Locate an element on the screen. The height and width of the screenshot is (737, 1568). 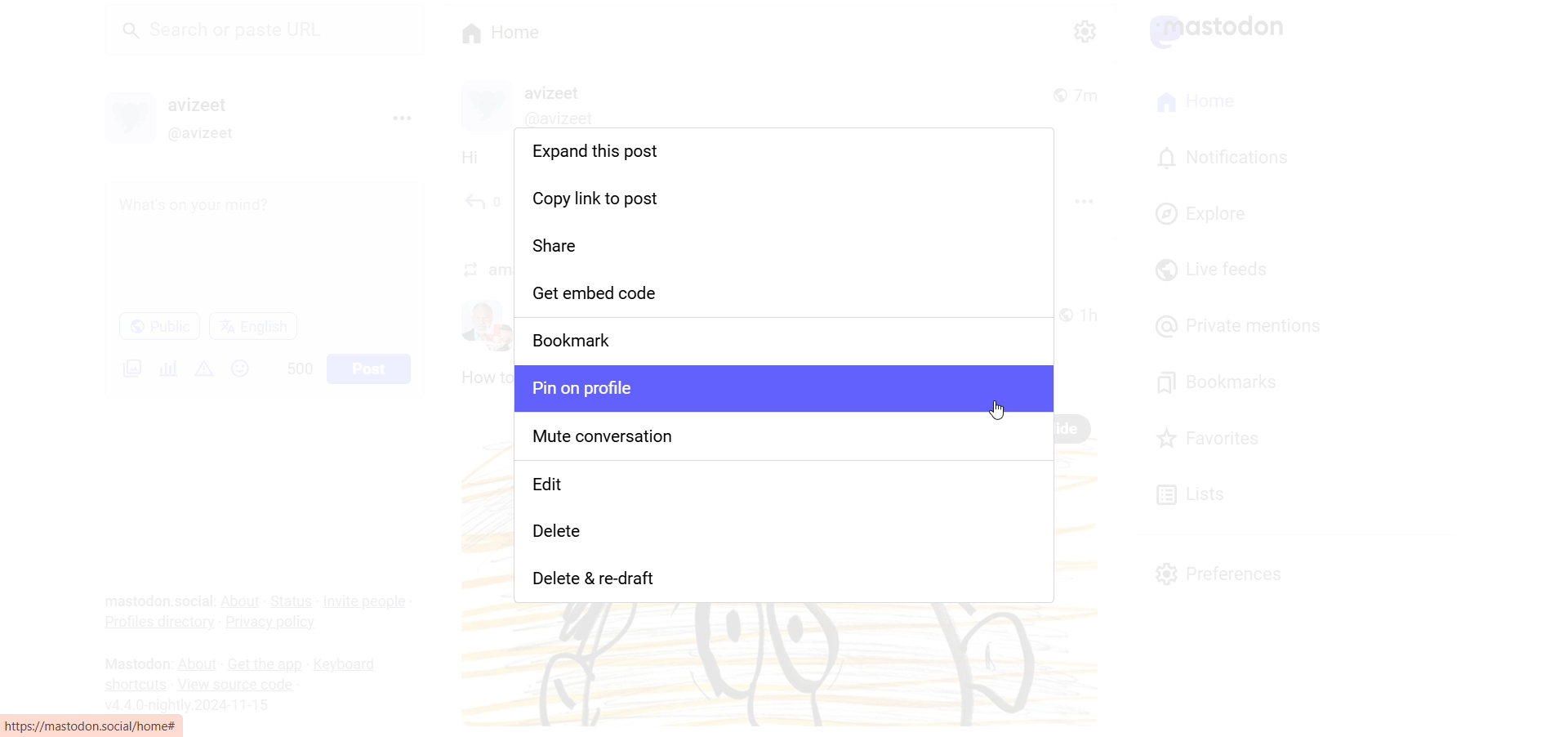
Delete and Re Draft is located at coordinates (782, 582).